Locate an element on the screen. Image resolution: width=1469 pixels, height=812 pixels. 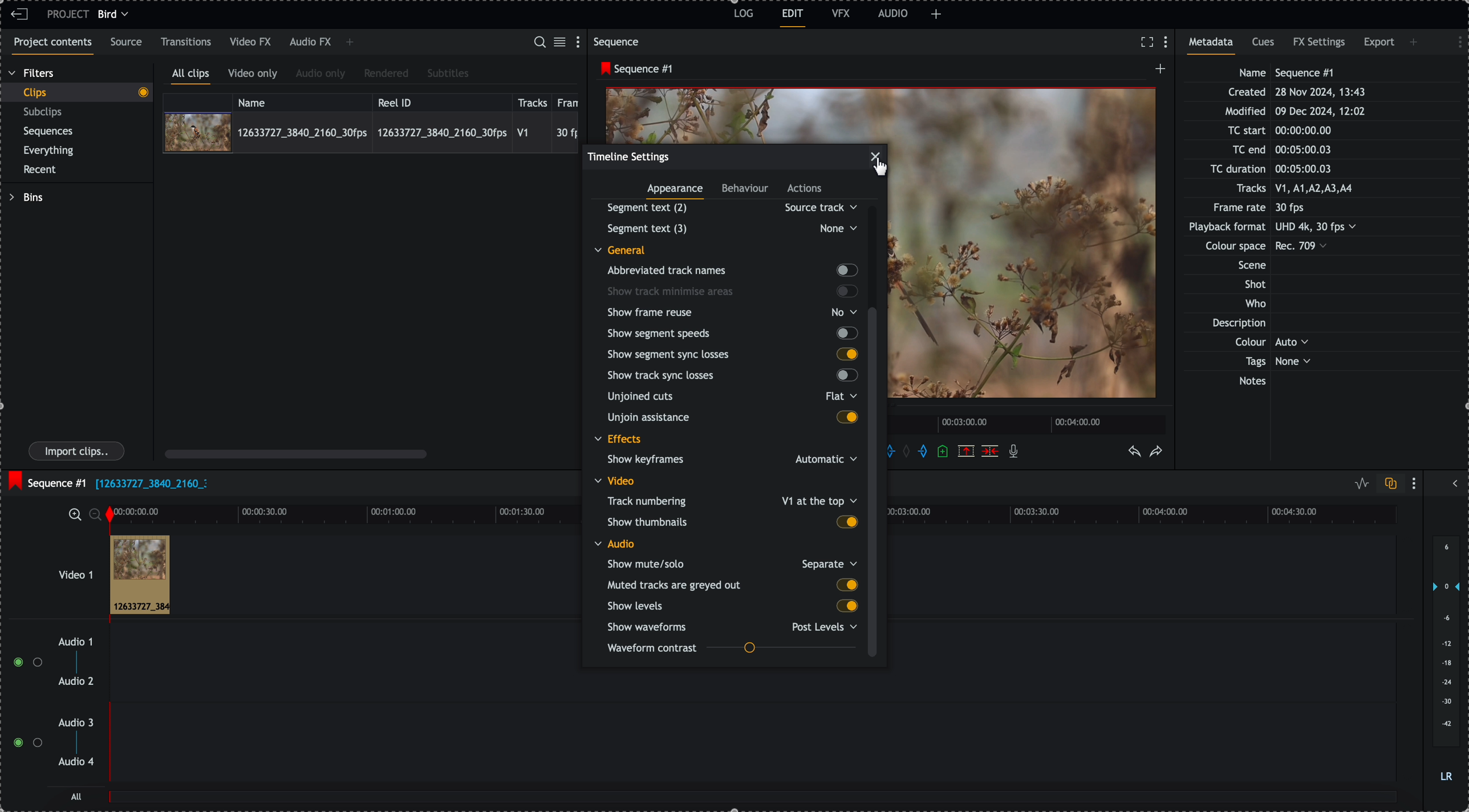
show settings menu is located at coordinates (1454, 40).